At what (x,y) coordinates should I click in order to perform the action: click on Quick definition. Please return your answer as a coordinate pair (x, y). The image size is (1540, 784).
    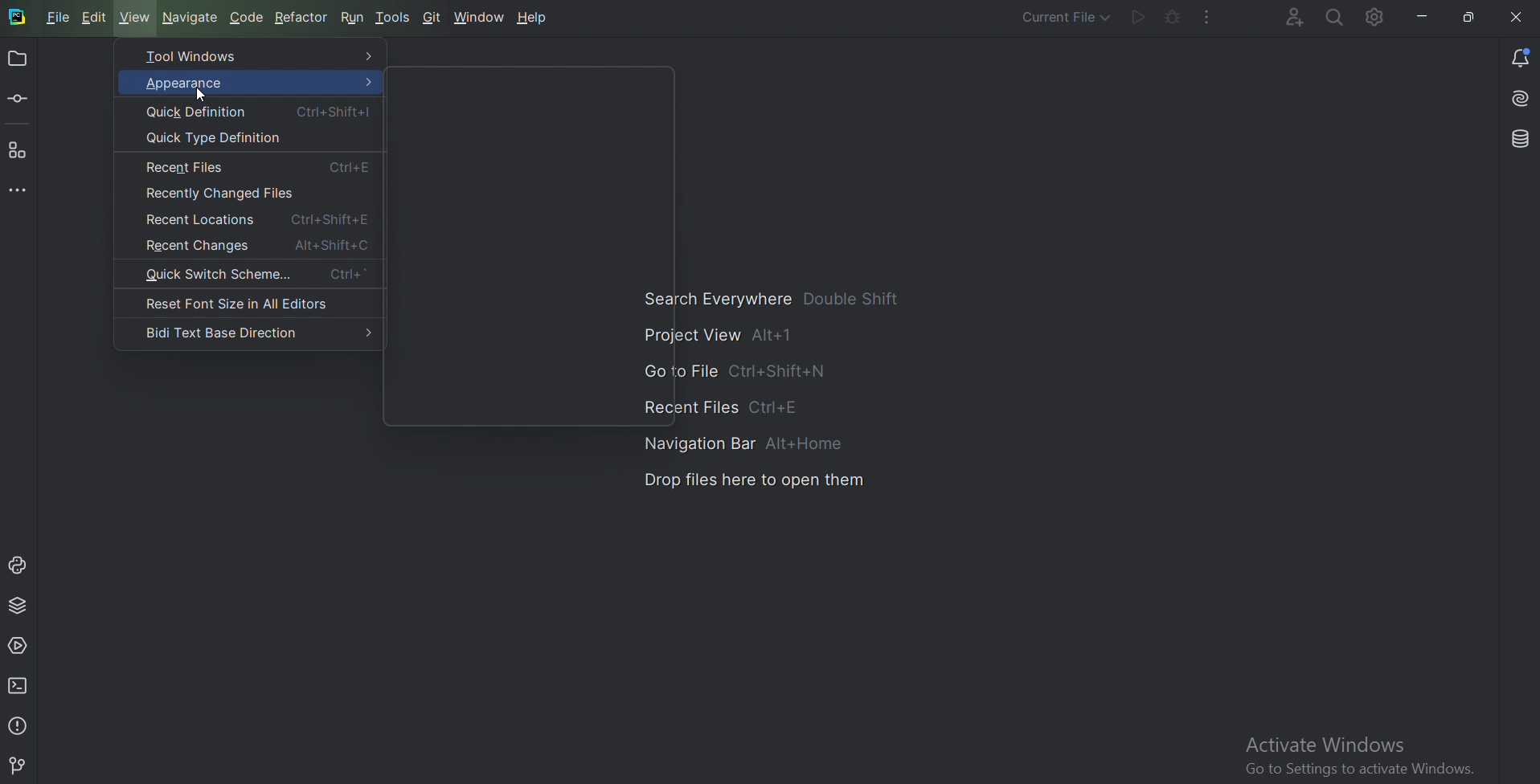
    Looking at the image, I should click on (260, 112).